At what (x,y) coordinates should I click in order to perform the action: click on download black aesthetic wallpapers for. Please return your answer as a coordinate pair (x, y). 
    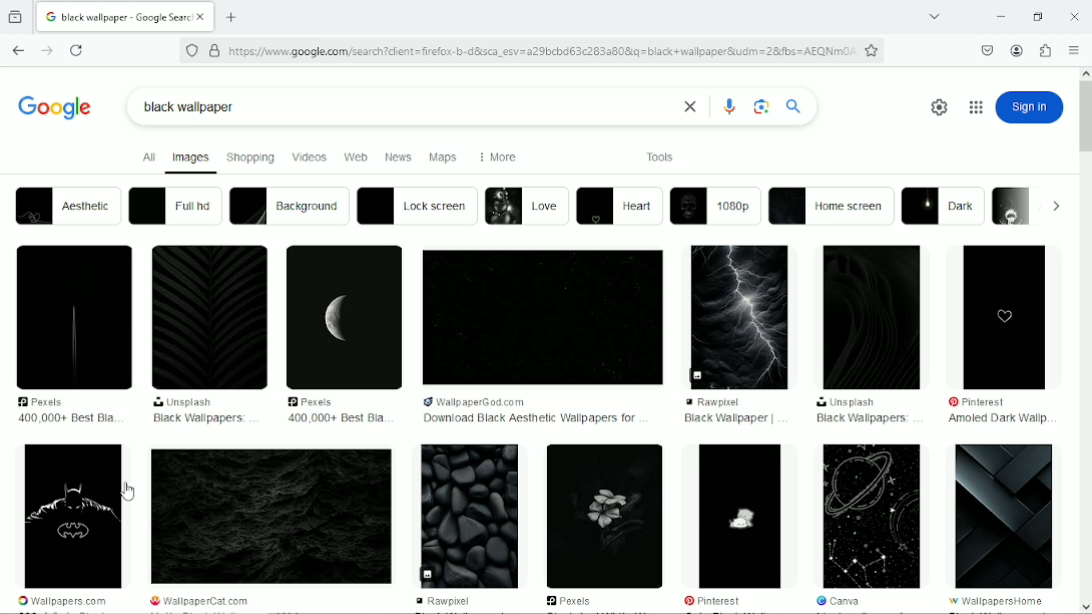
    Looking at the image, I should click on (529, 419).